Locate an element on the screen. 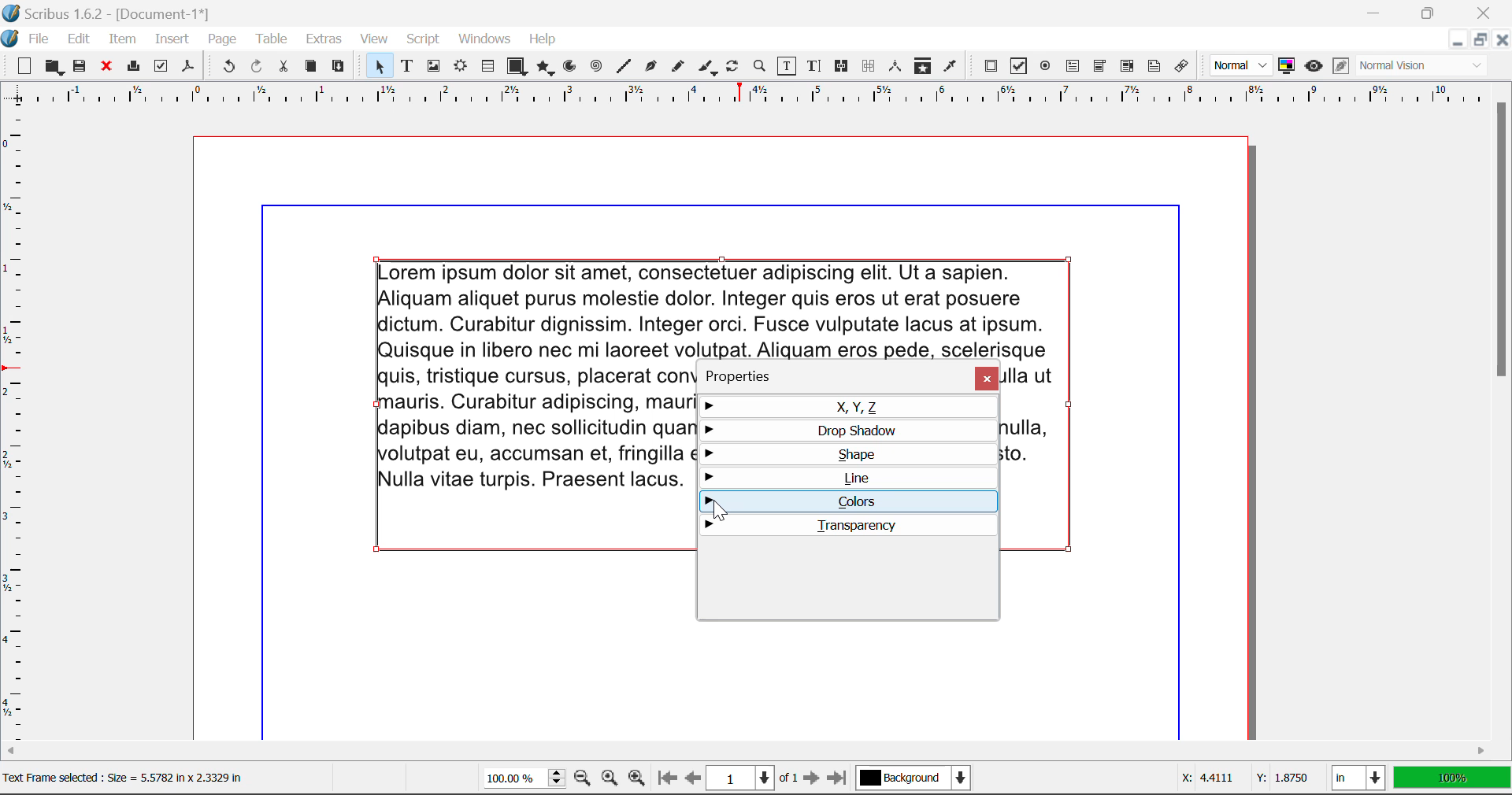  Text Frames is located at coordinates (407, 68).